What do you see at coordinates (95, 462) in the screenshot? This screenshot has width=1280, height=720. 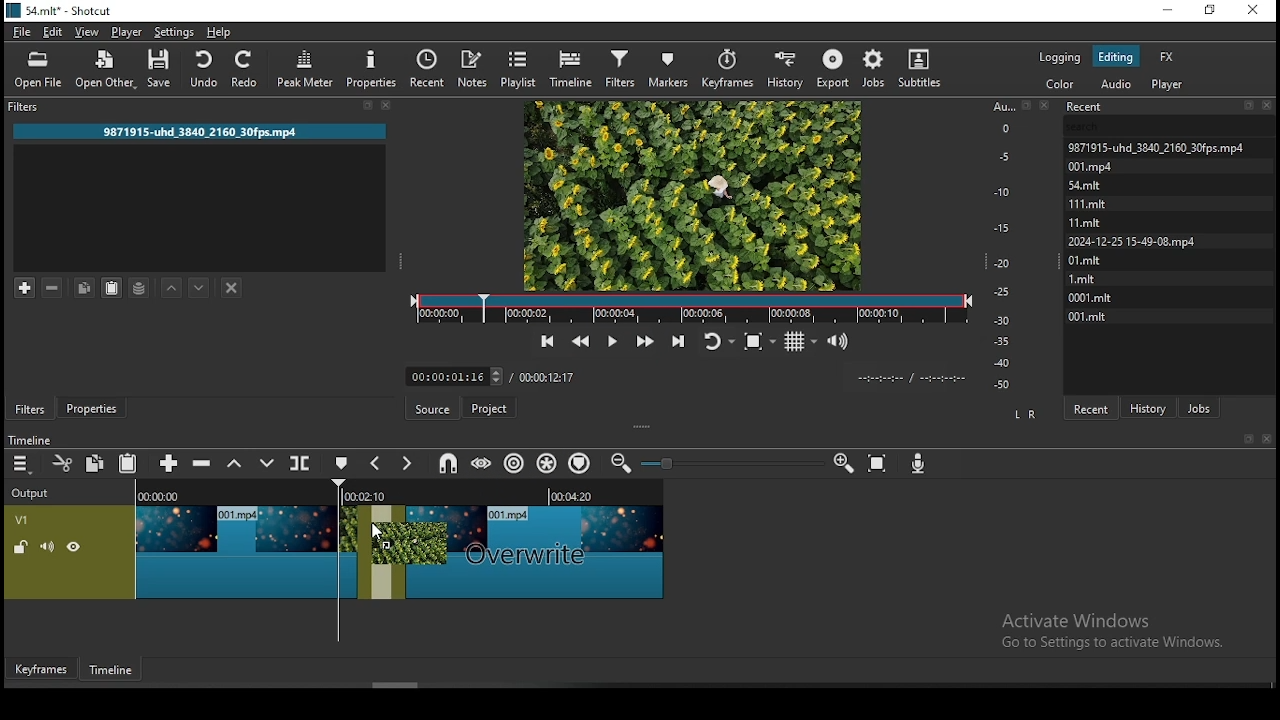 I see `copy` at bounding box center [95, 462].